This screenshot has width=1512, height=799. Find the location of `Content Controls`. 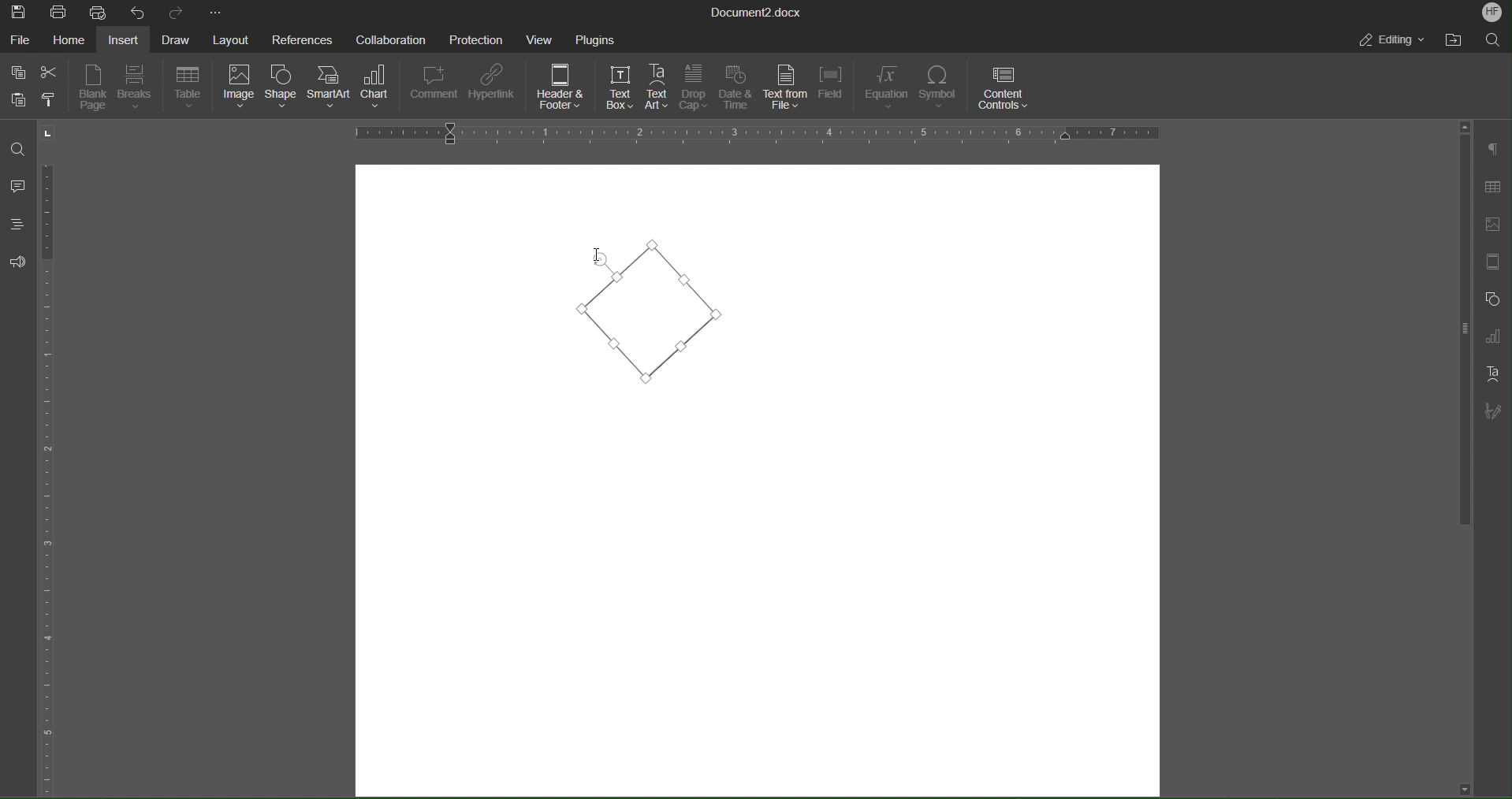

Content Controls is located at coordinates (1005, 87).